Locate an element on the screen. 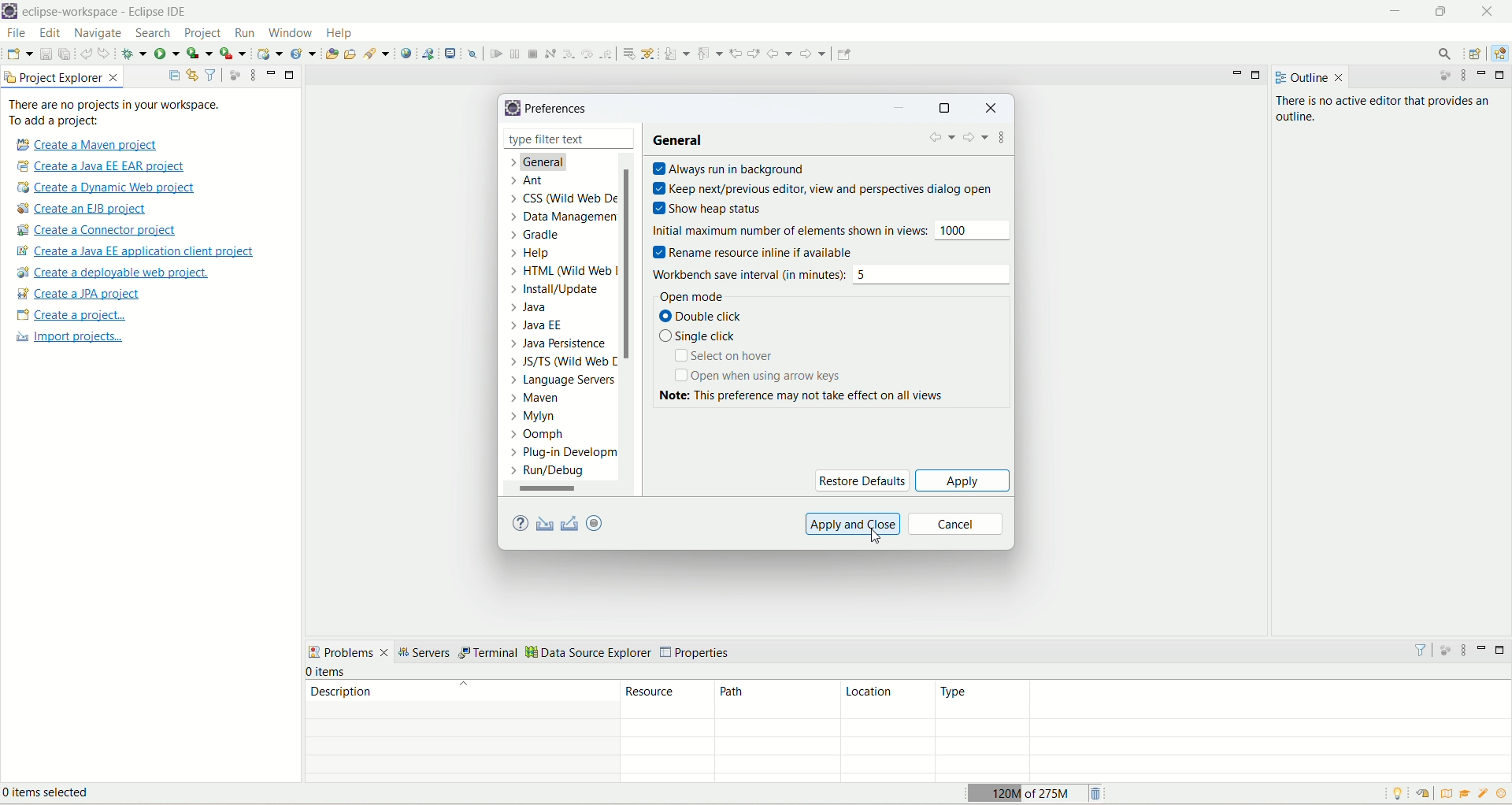  filters is located at coordinates (1420, 649).